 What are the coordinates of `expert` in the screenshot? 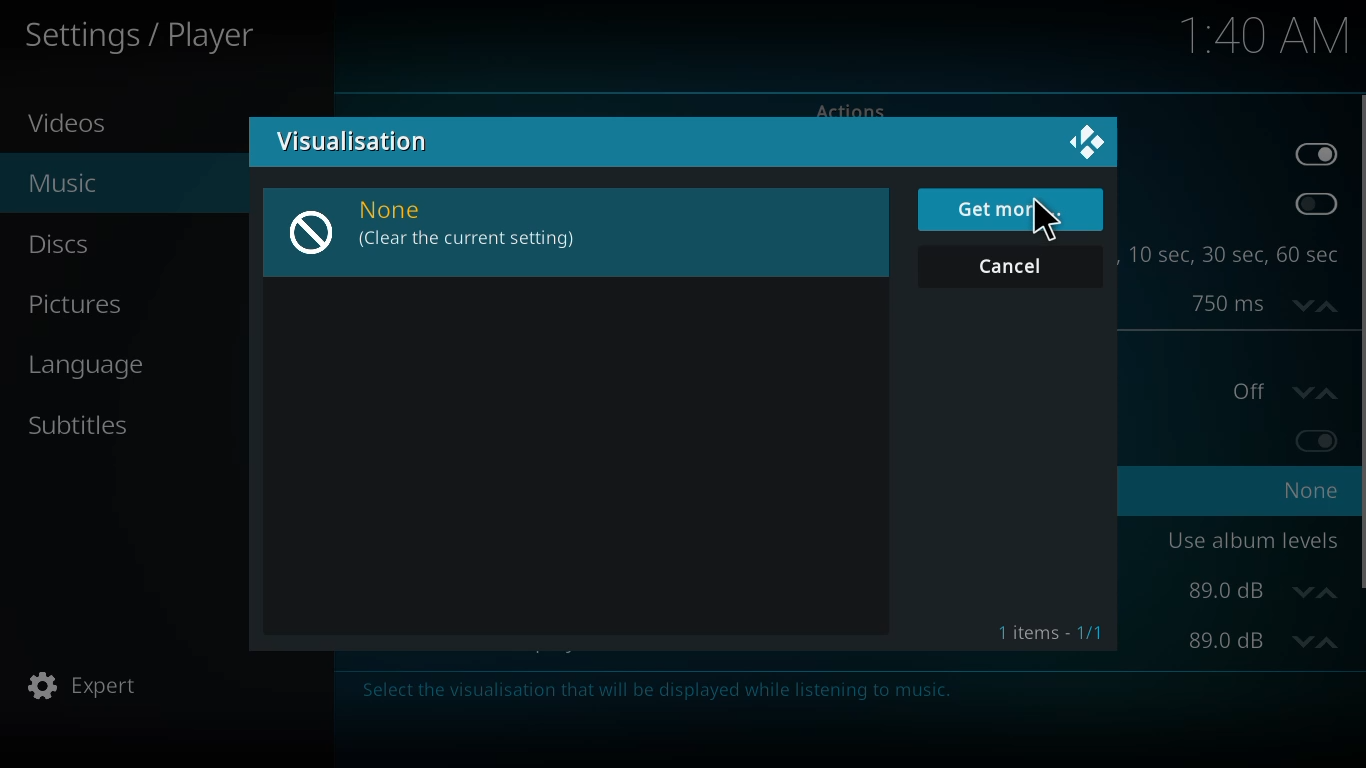 It's located at (82, 686).